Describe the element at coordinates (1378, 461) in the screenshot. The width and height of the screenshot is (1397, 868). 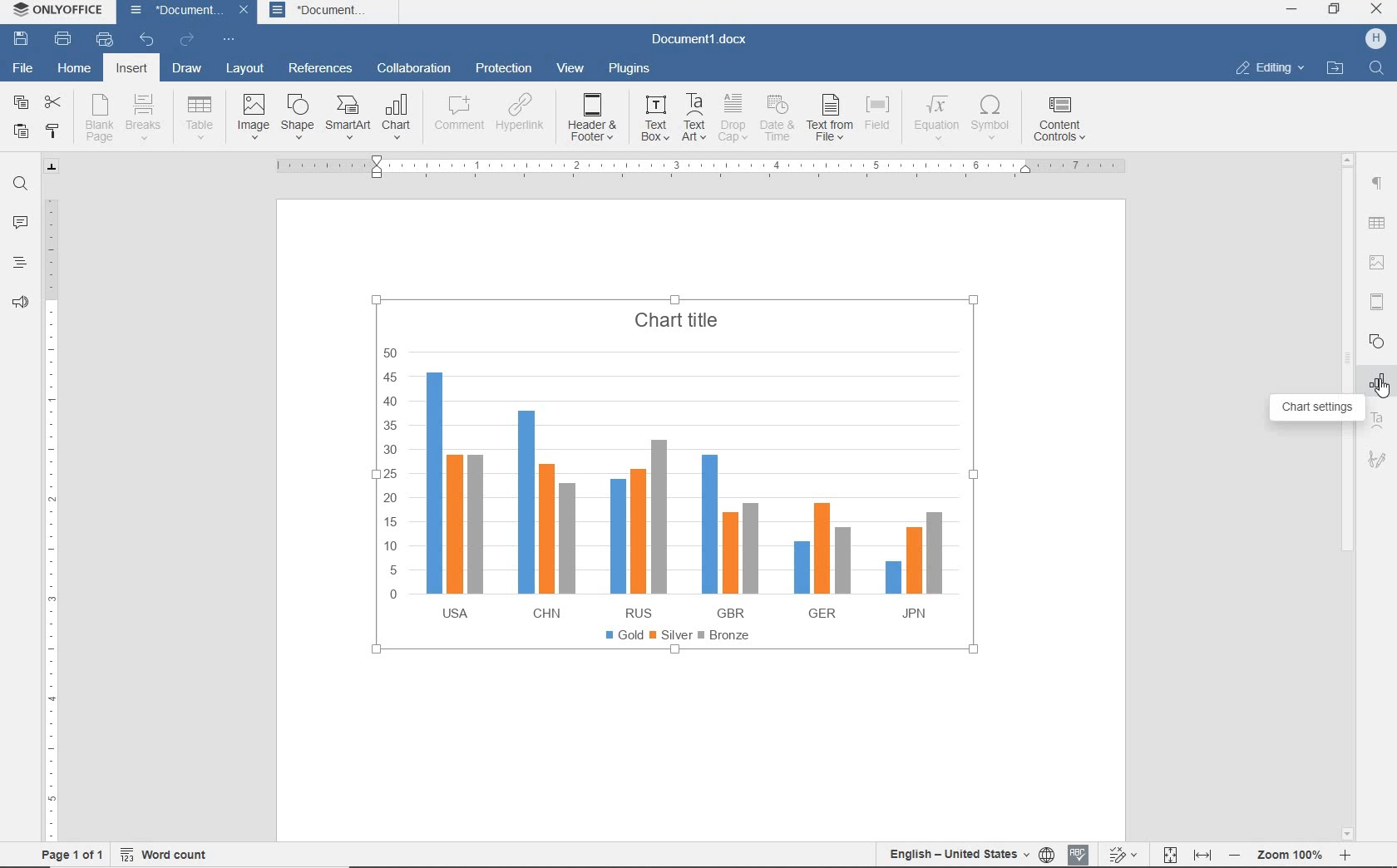
I see `signature` at that location.